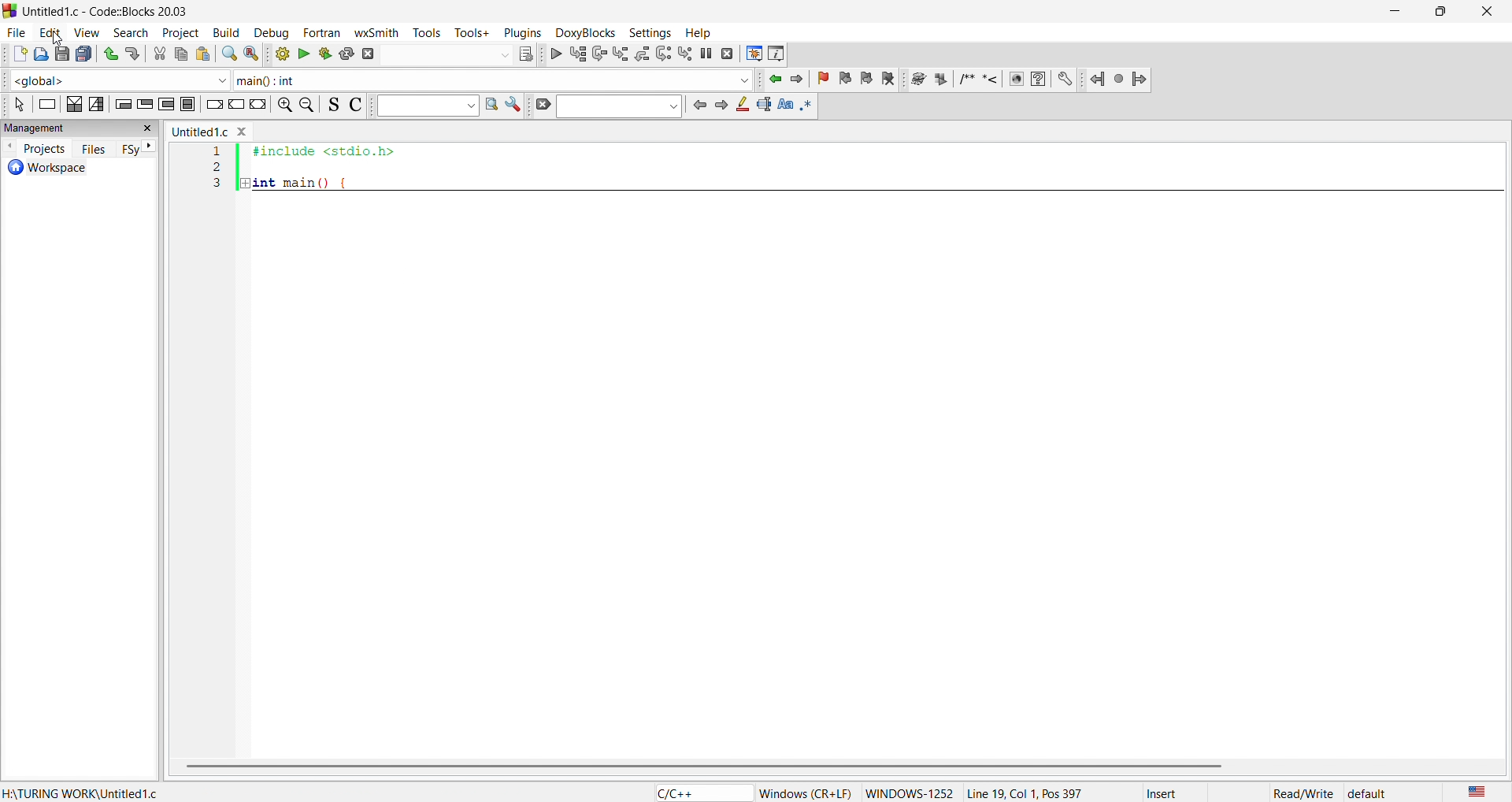  Describe the element at coordinates (1024, 793) in the screenshot. I see `Line 19, col 1, Pos 397` at that location.